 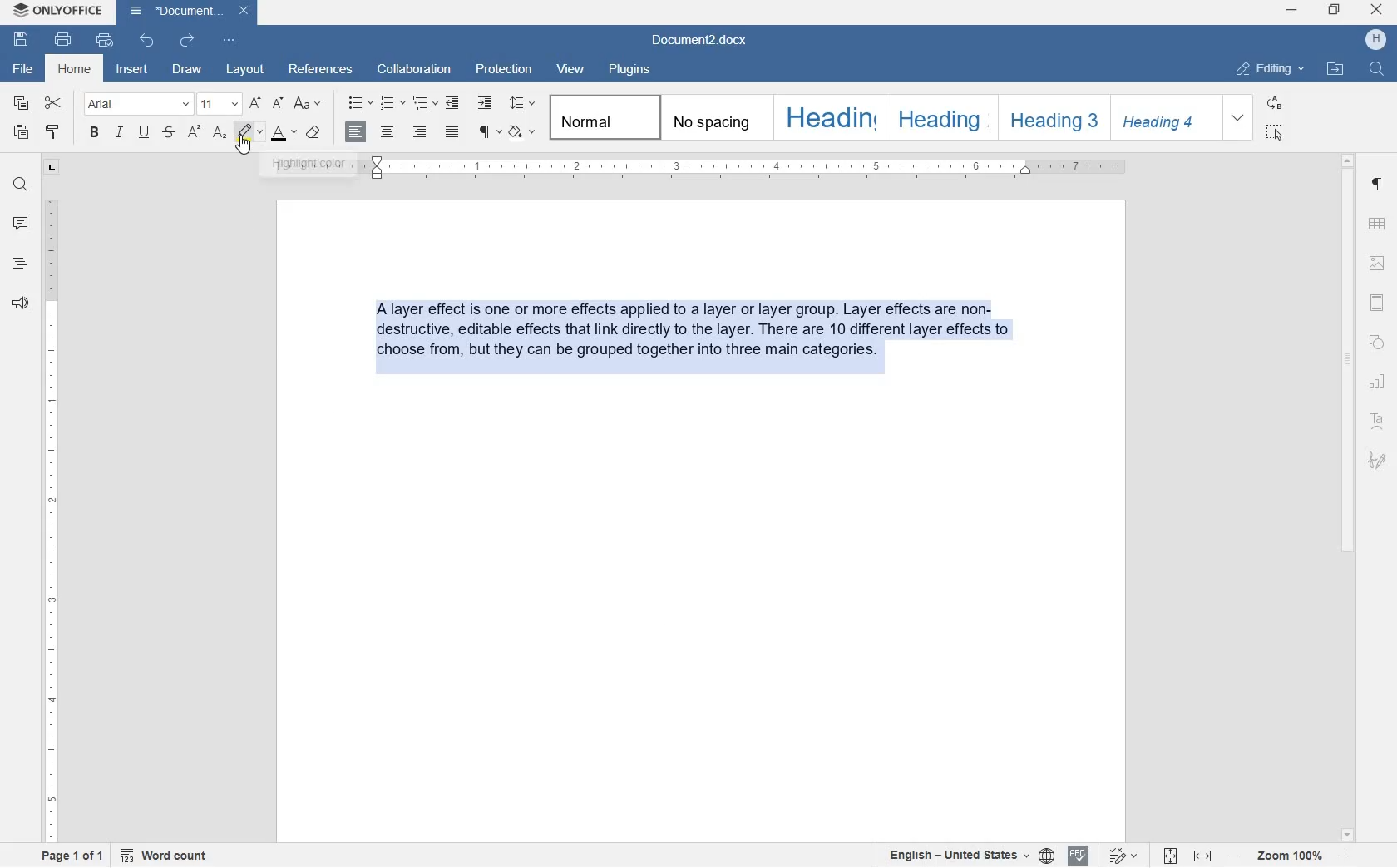 What do you see at coordinates (96, 133) in the screenshot?
I see `BOLD` at bounding box center [96, 133].